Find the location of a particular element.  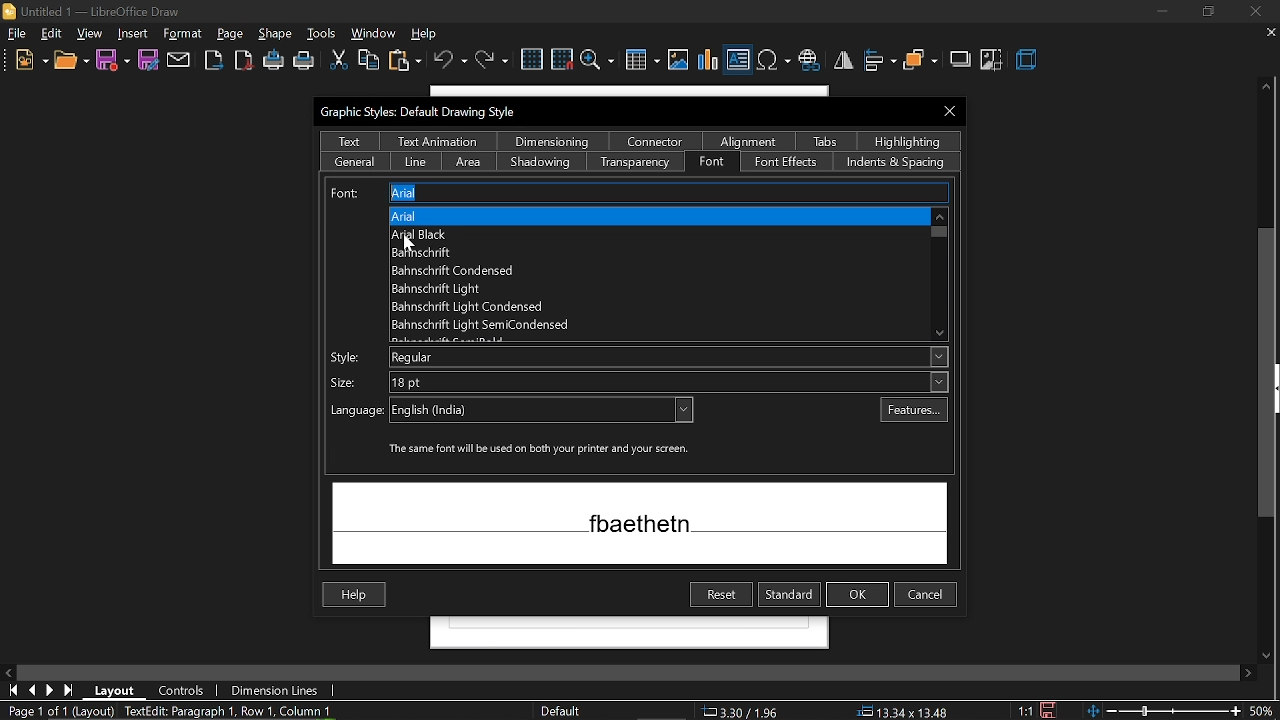

shape is located at coordinates (132, 34).